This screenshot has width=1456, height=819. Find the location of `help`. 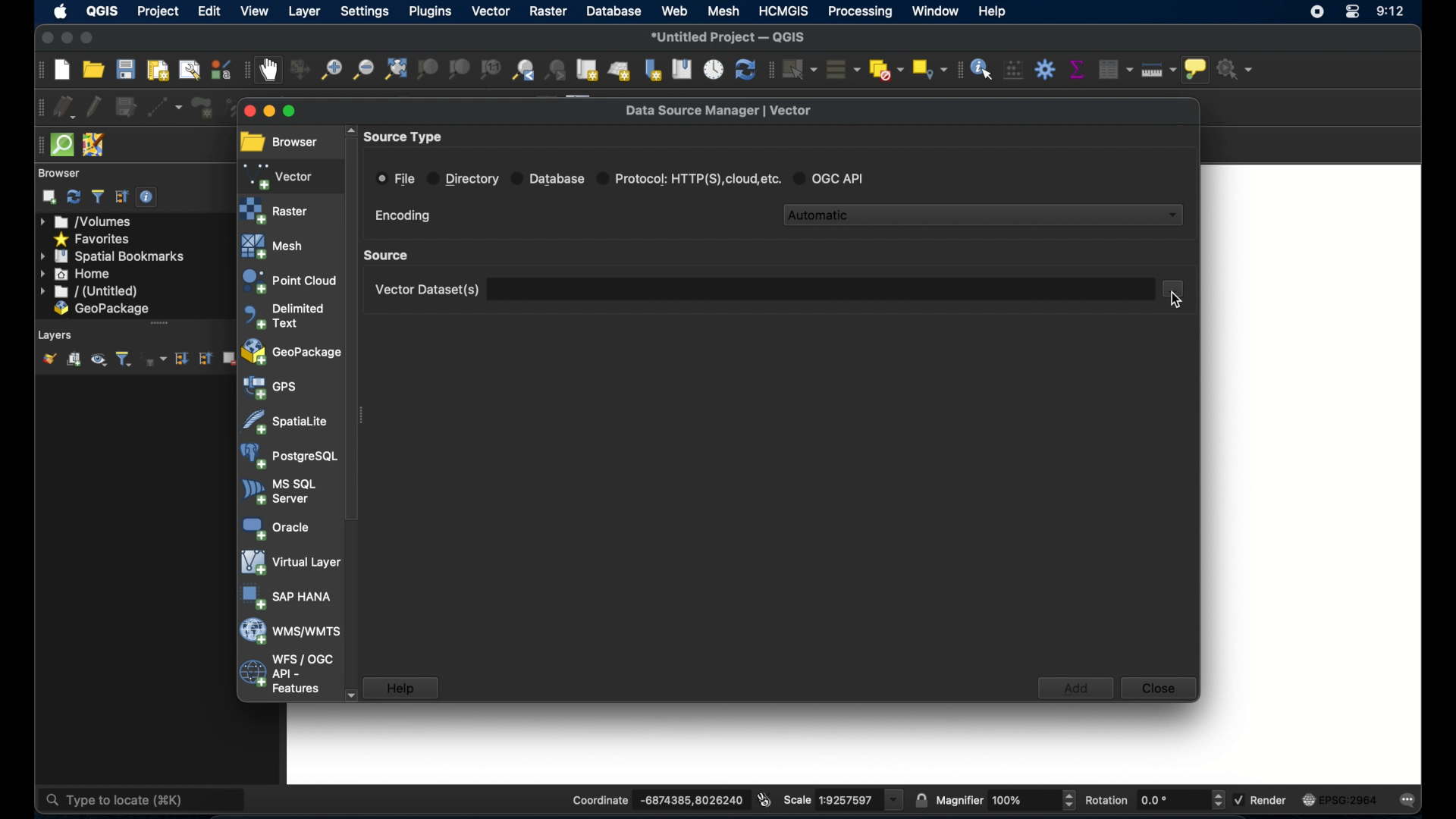

help is located at coordinates (998, 12).